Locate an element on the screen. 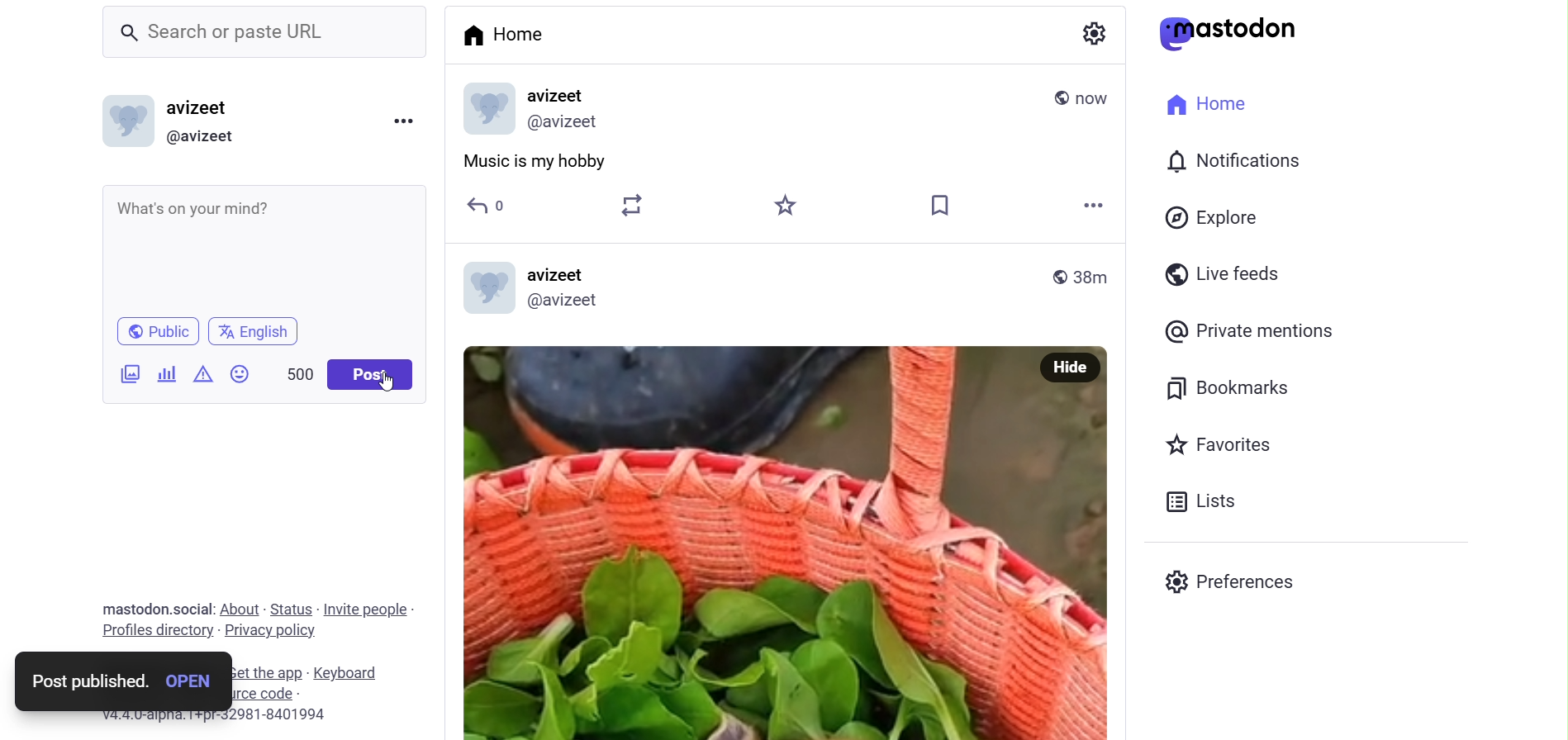 This screenshot has height=740, width=1568. mastodon.social is located at coordinates (158, 606).